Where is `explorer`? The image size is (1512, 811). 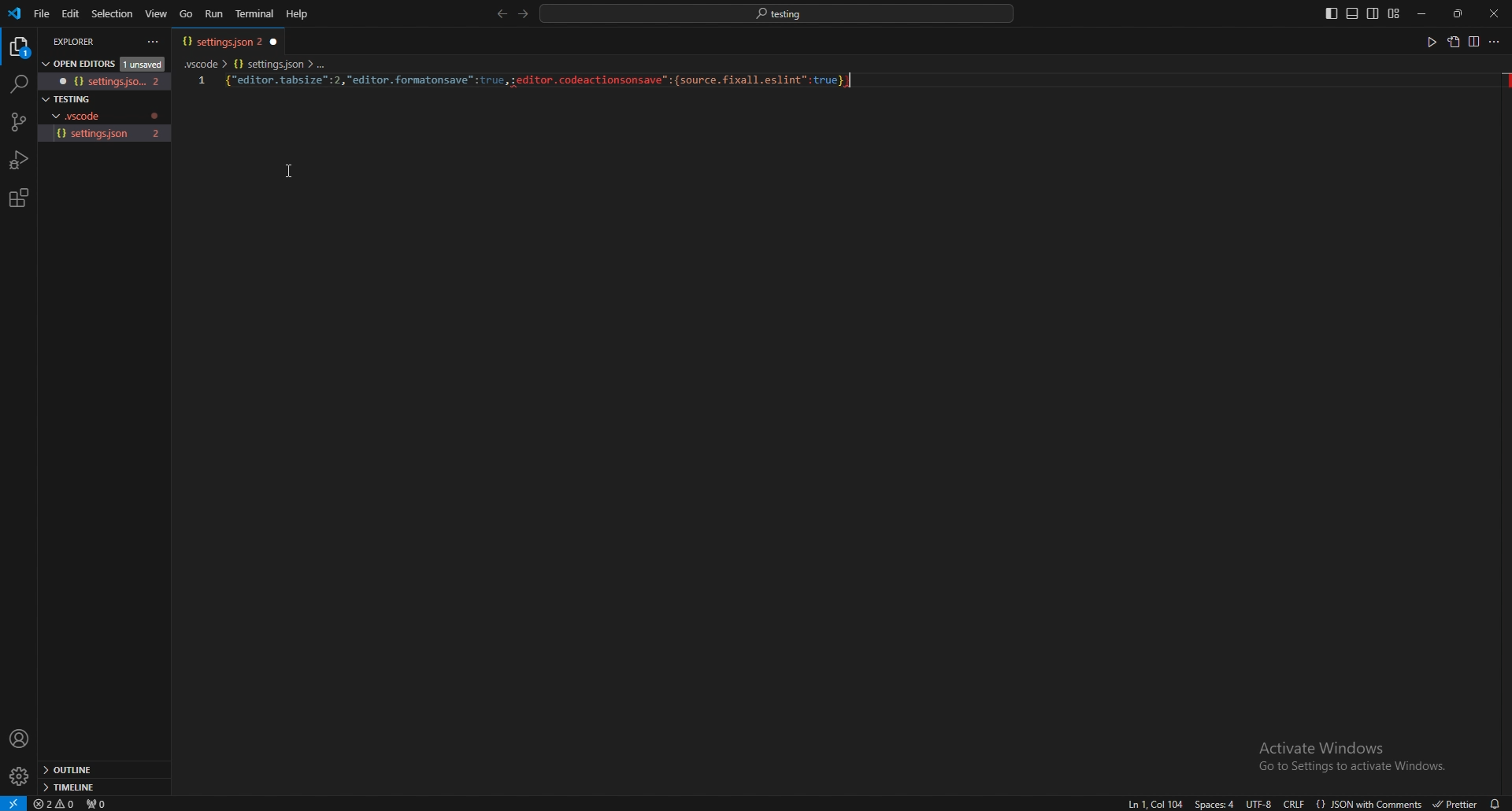 explorer is located at coordinates (83, 41).